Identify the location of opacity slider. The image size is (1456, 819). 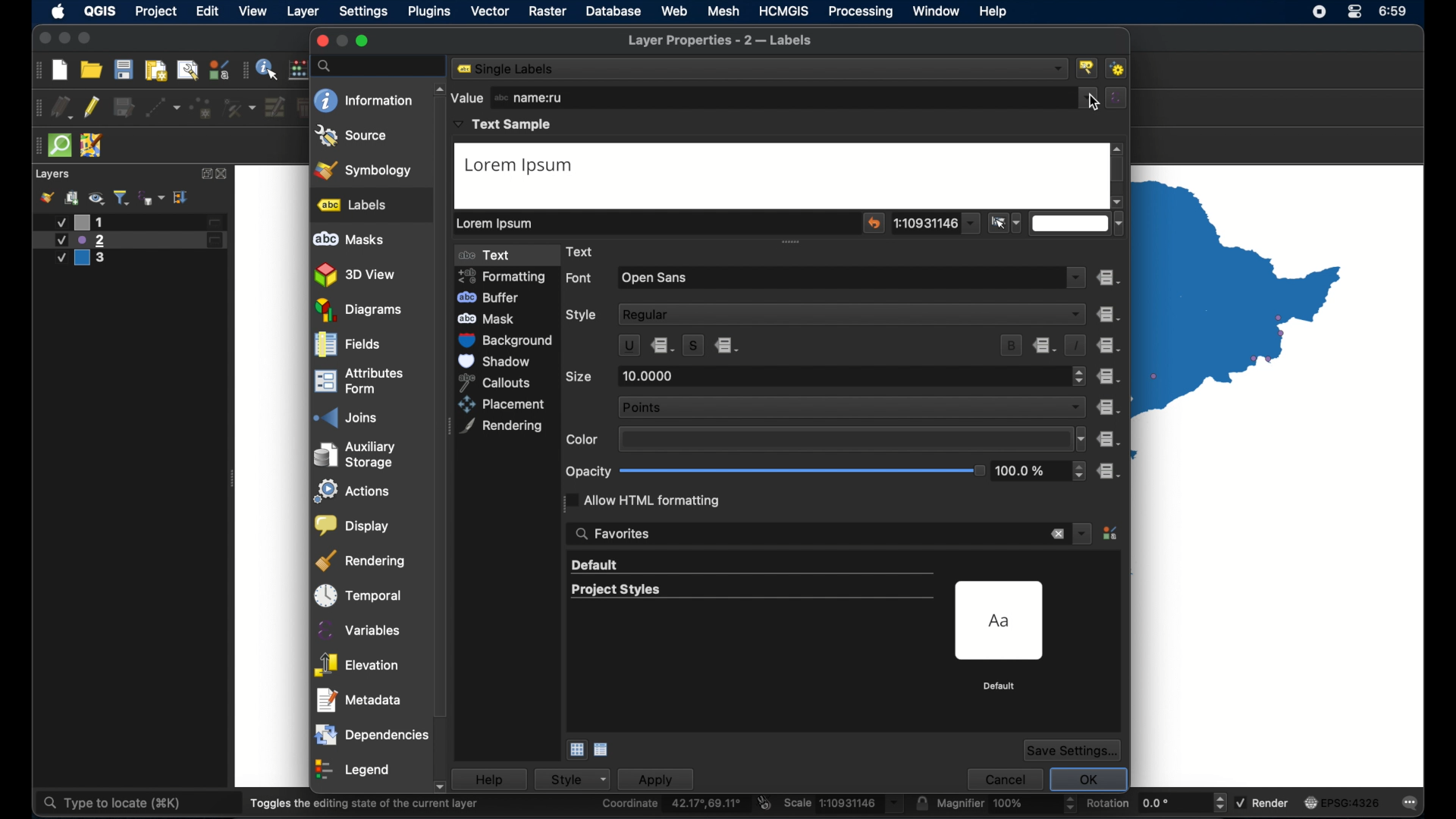
(802, 471).